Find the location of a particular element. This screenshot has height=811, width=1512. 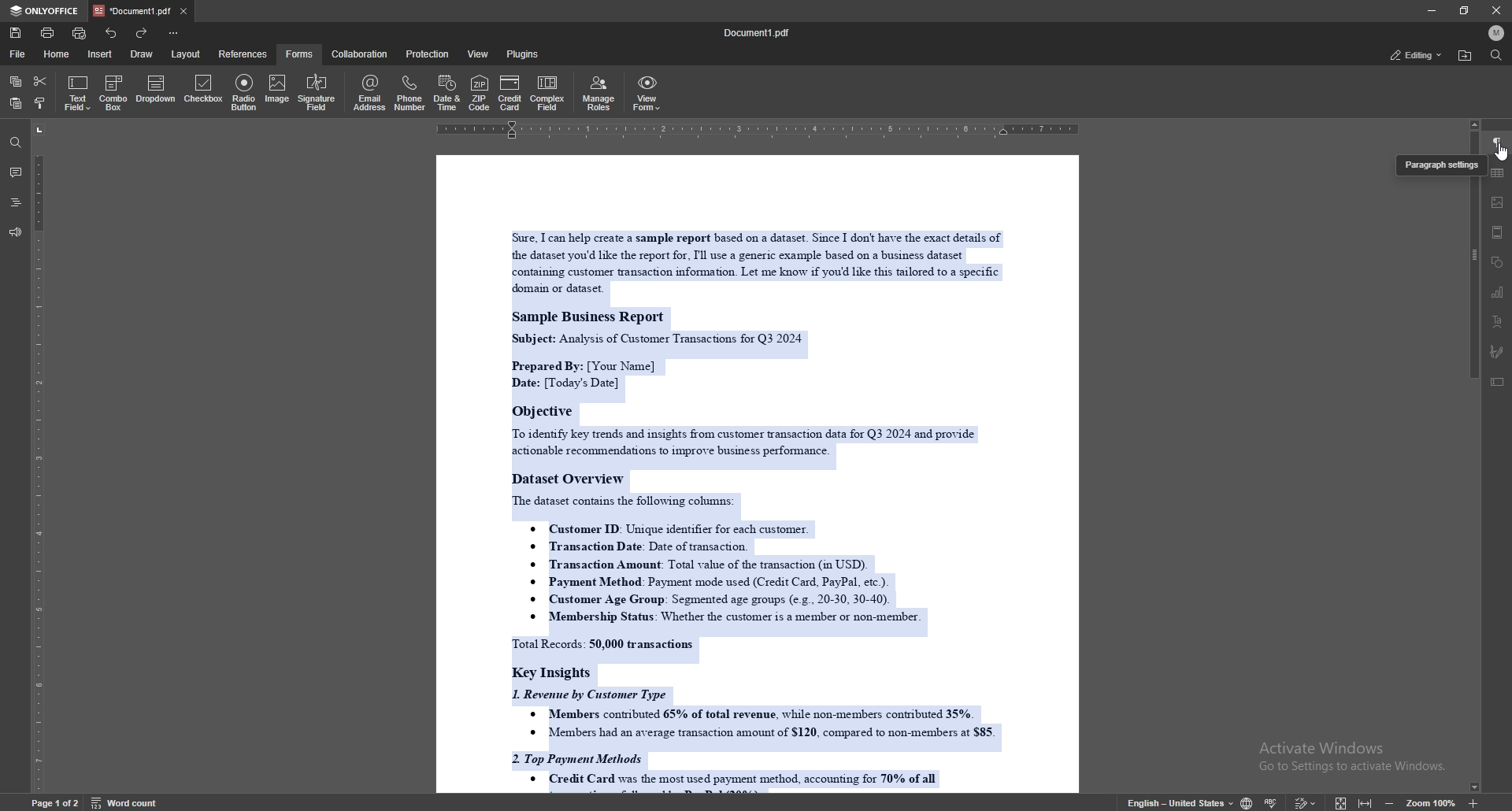

radio button is located at coordinates (246, 92).